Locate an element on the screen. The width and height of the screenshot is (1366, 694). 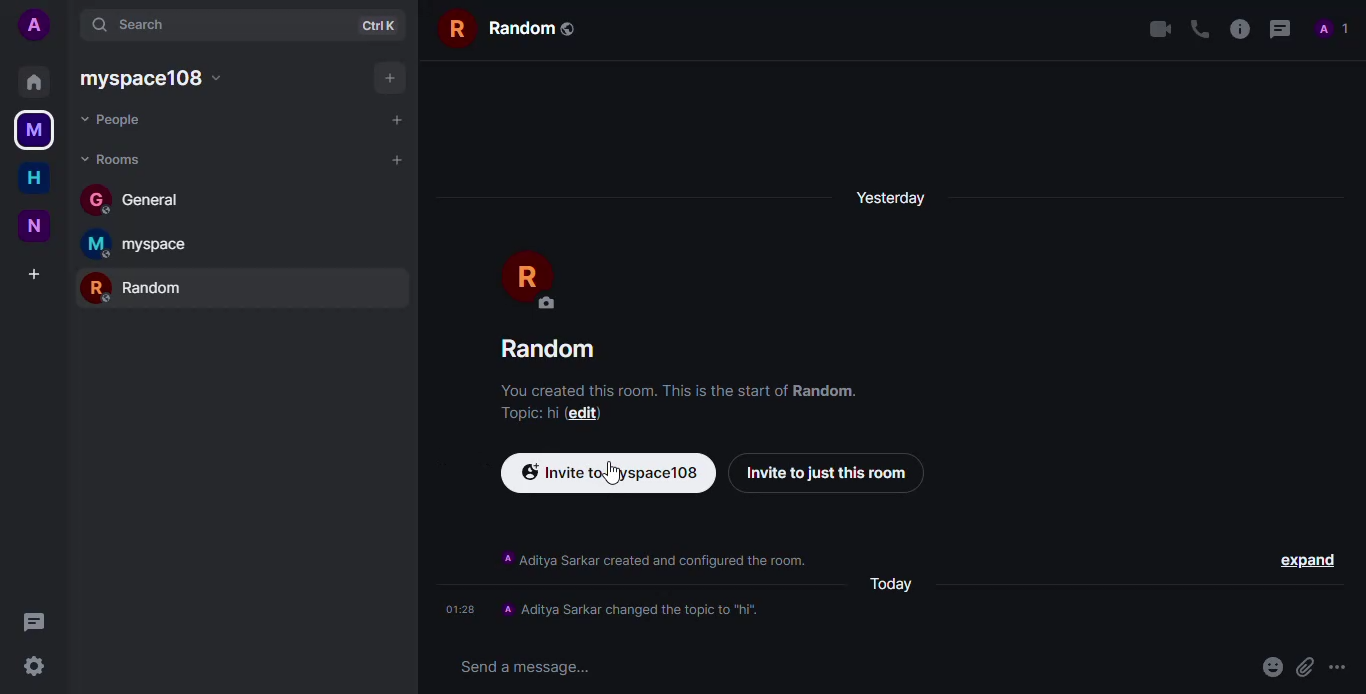
add is located at coordinates (386, 78).